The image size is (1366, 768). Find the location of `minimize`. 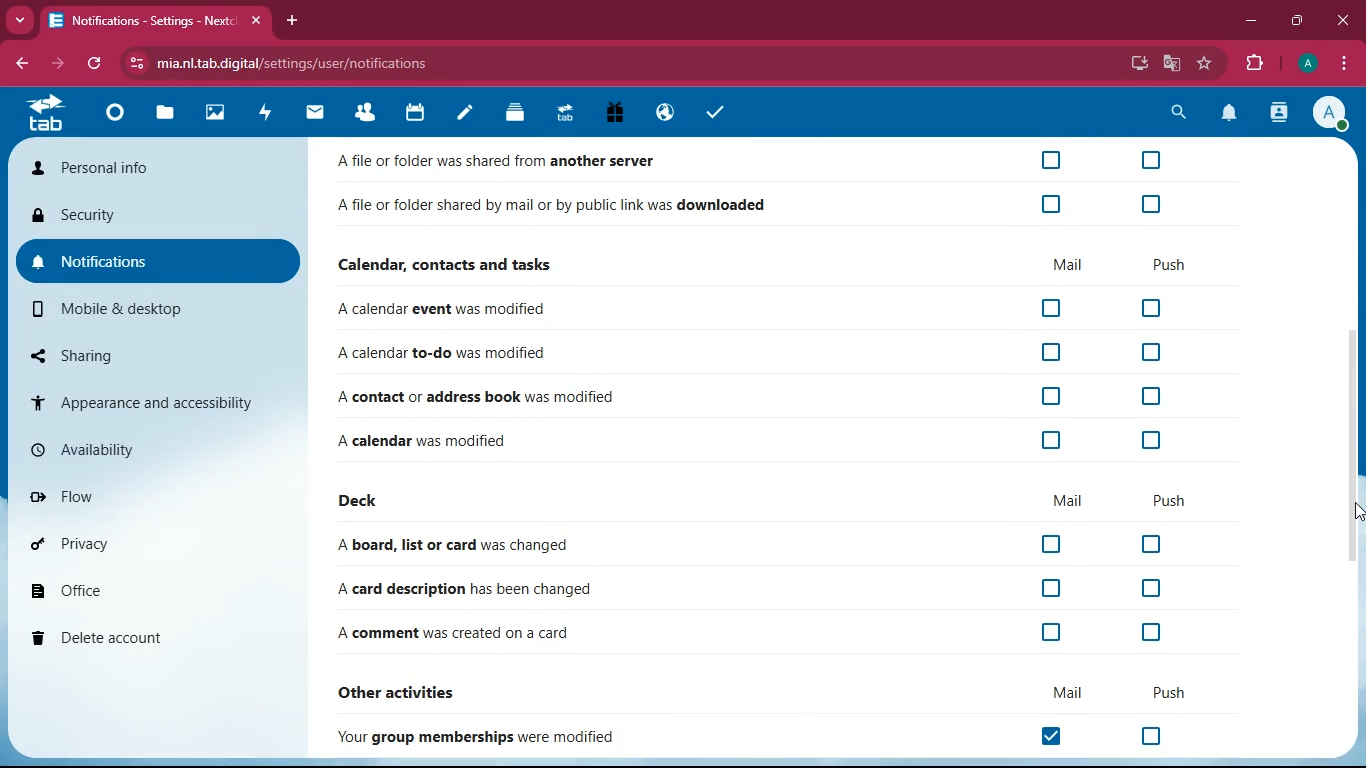

minimize is located at coordinates (1250, 19).